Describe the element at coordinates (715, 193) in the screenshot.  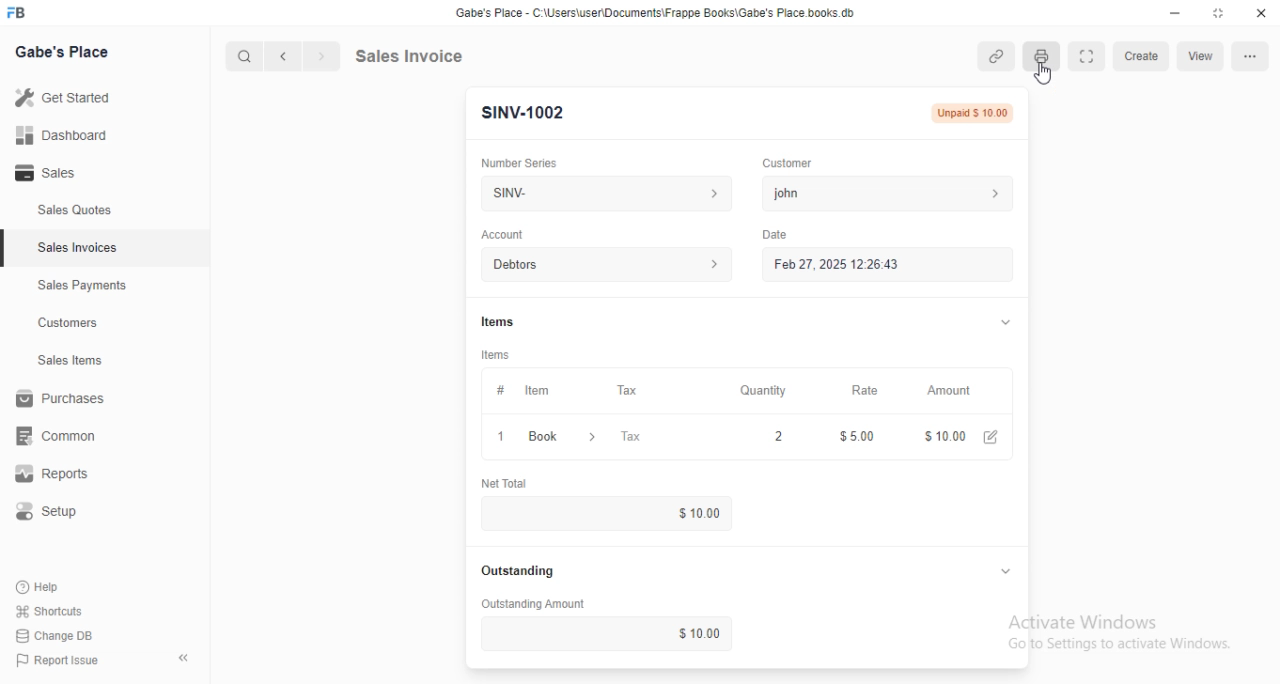
I see `number series information` at that location.